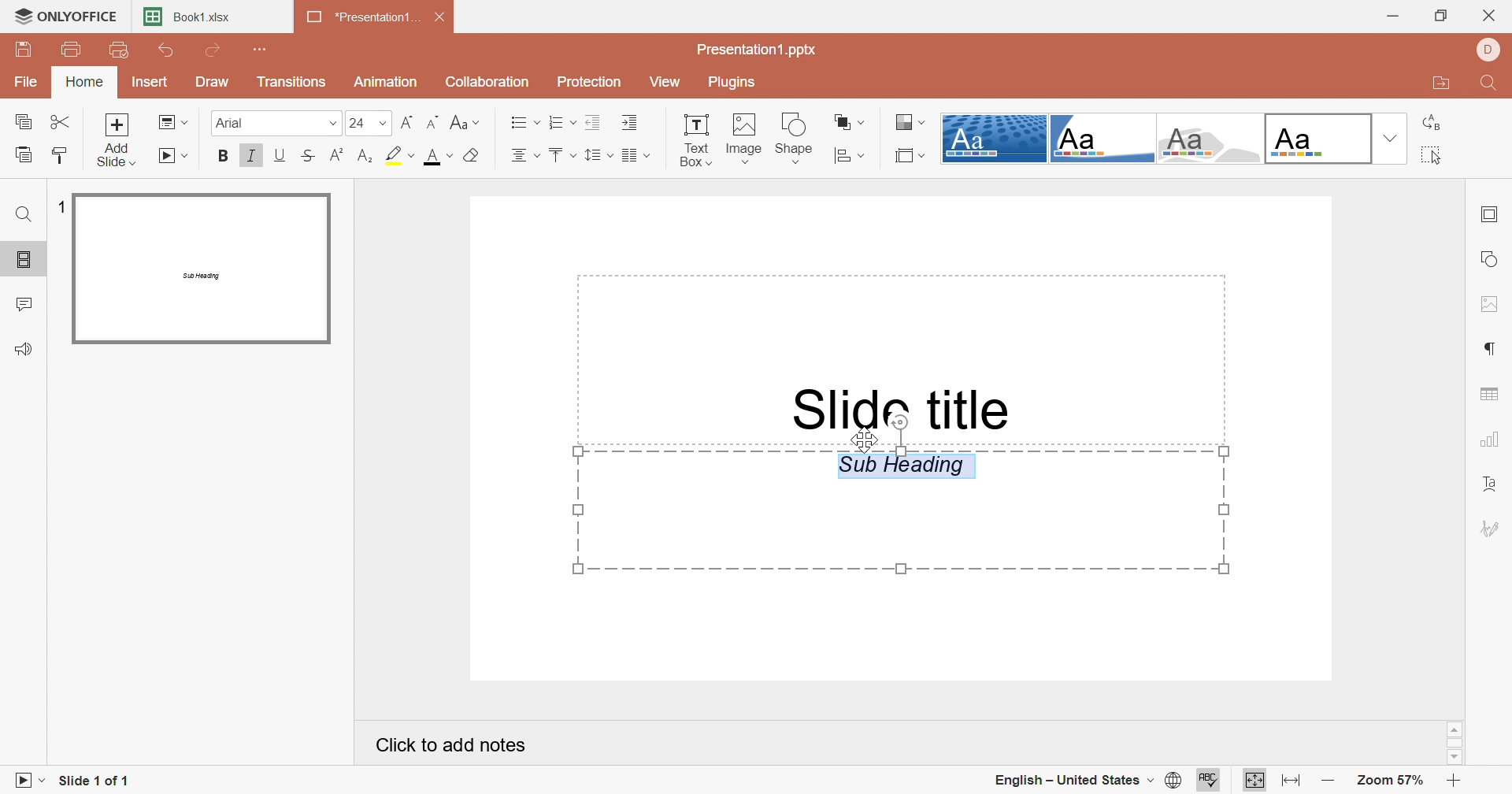 Image resolution: width=1512 pixels, height=794 pixels. Describe the element at coordinates (363, 17) in the screenshot. I see `*Presentation1...` at that location.